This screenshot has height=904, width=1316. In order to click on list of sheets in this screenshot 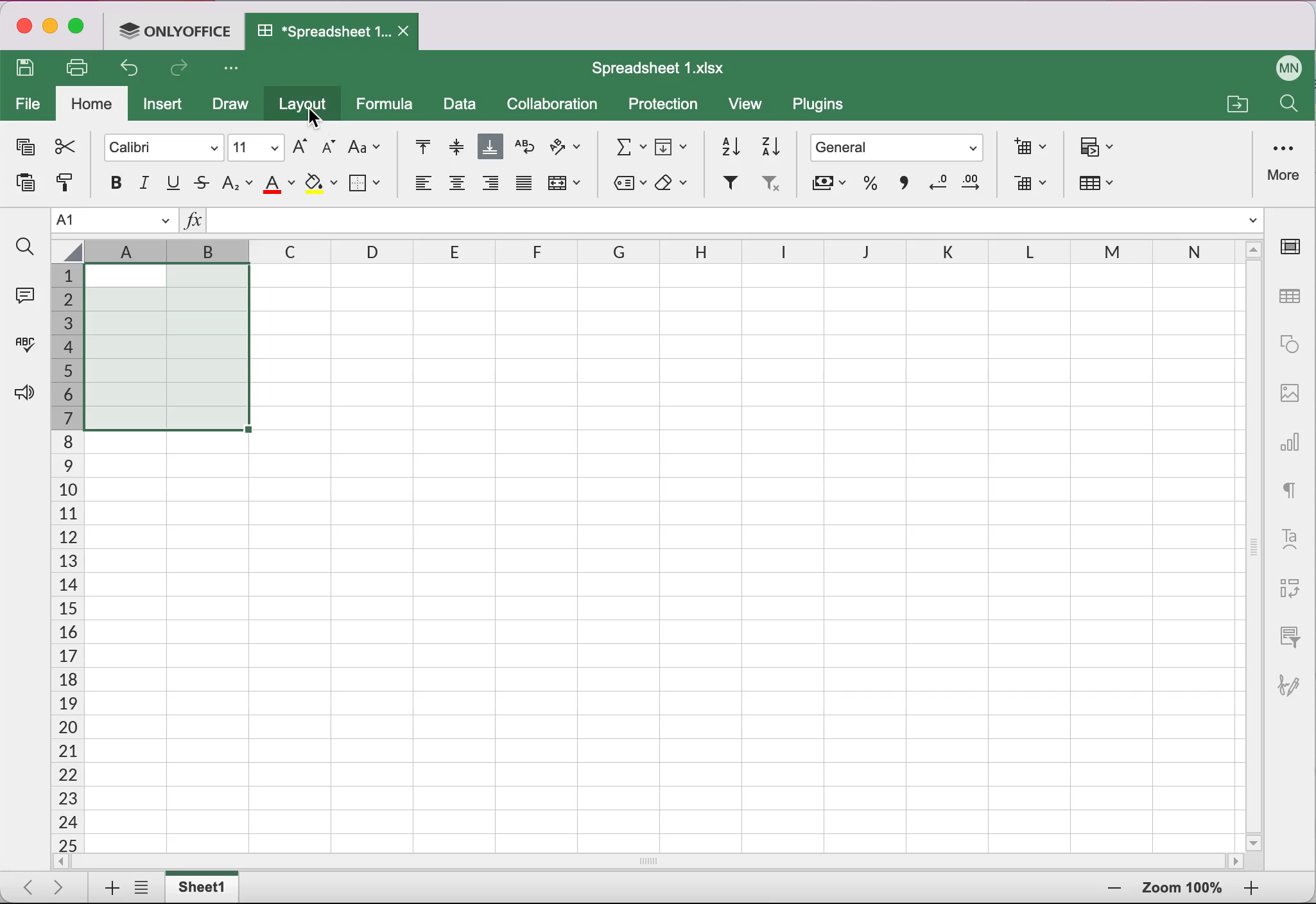, I will do `click(145, 889)`.